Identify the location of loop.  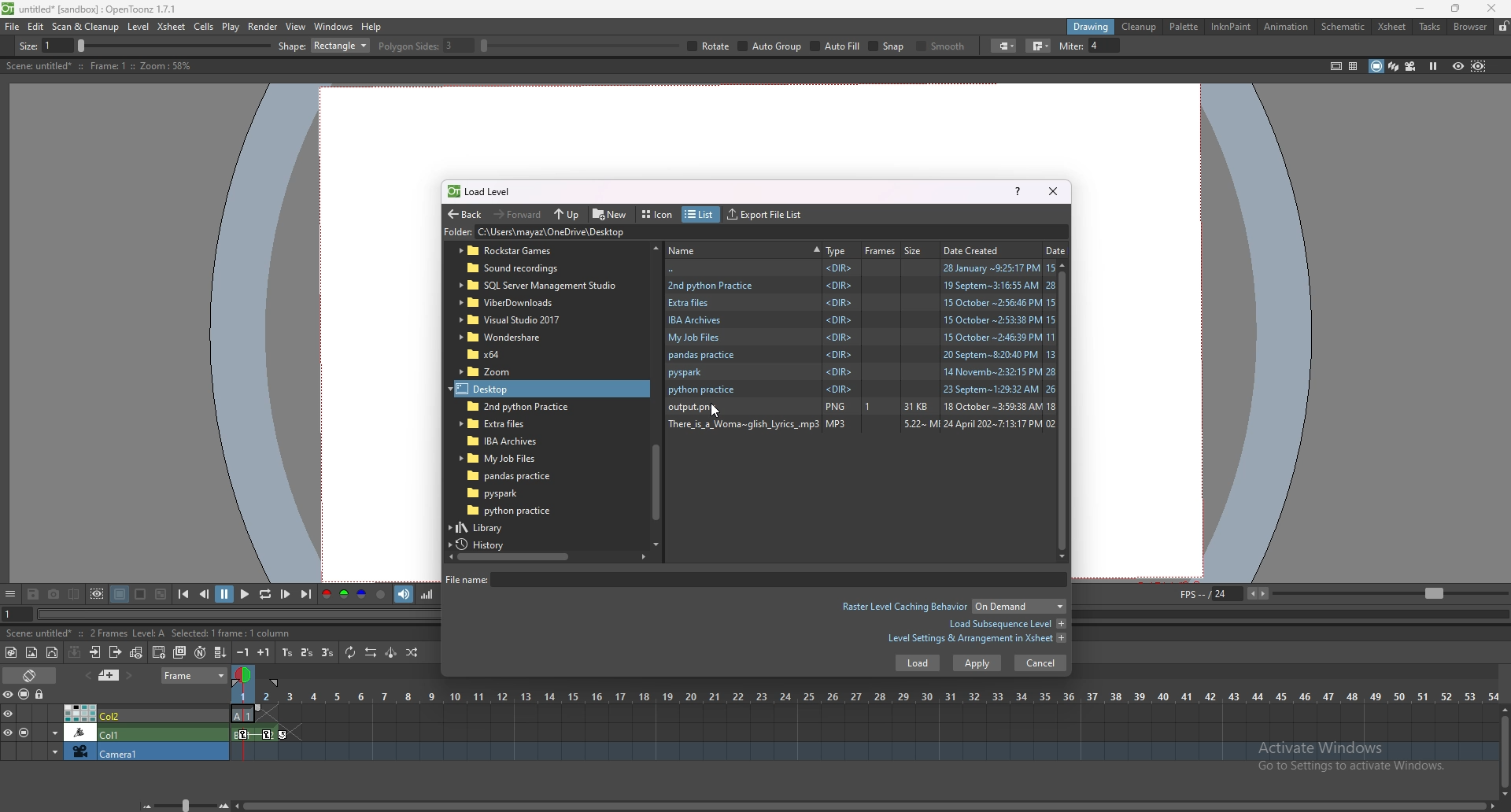
(264, 595).